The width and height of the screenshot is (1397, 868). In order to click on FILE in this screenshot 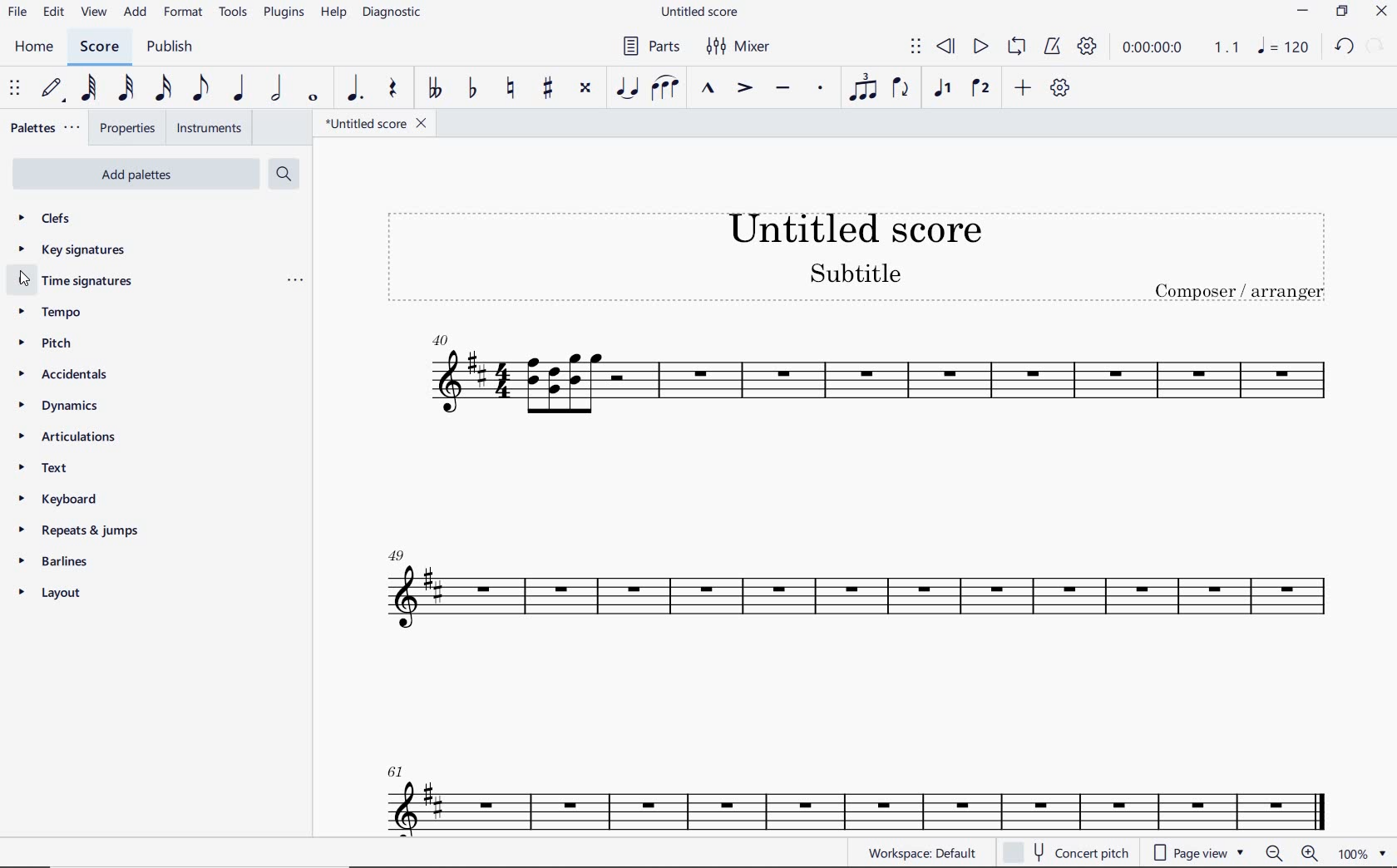, I will do `click(17, 13)`.